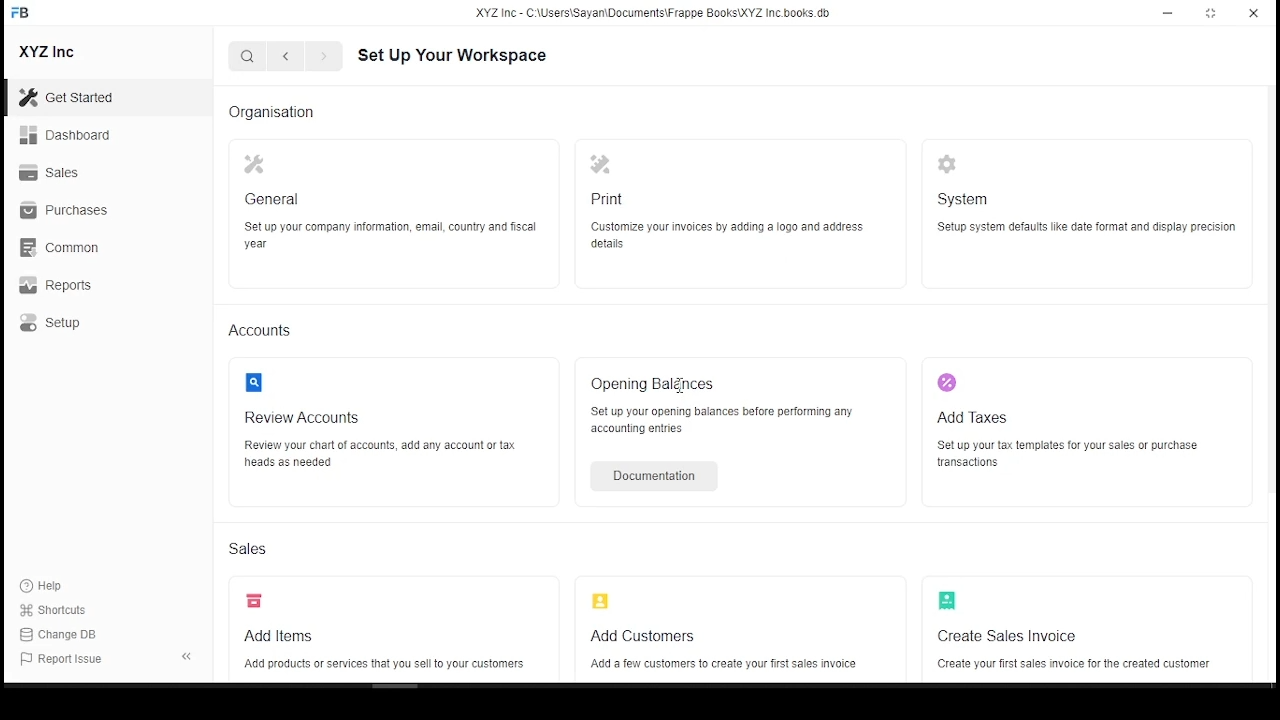  I want to click on sales, so click(252, 550).